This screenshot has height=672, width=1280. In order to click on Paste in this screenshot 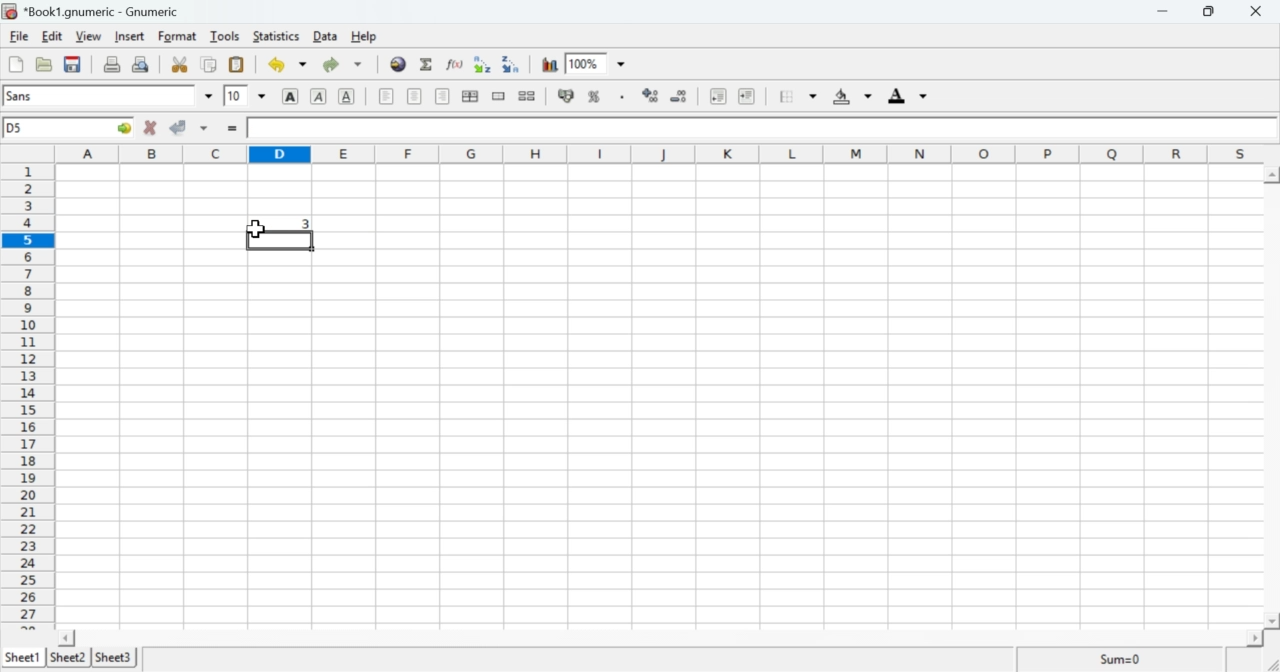, I will do `click(236, 65)`.